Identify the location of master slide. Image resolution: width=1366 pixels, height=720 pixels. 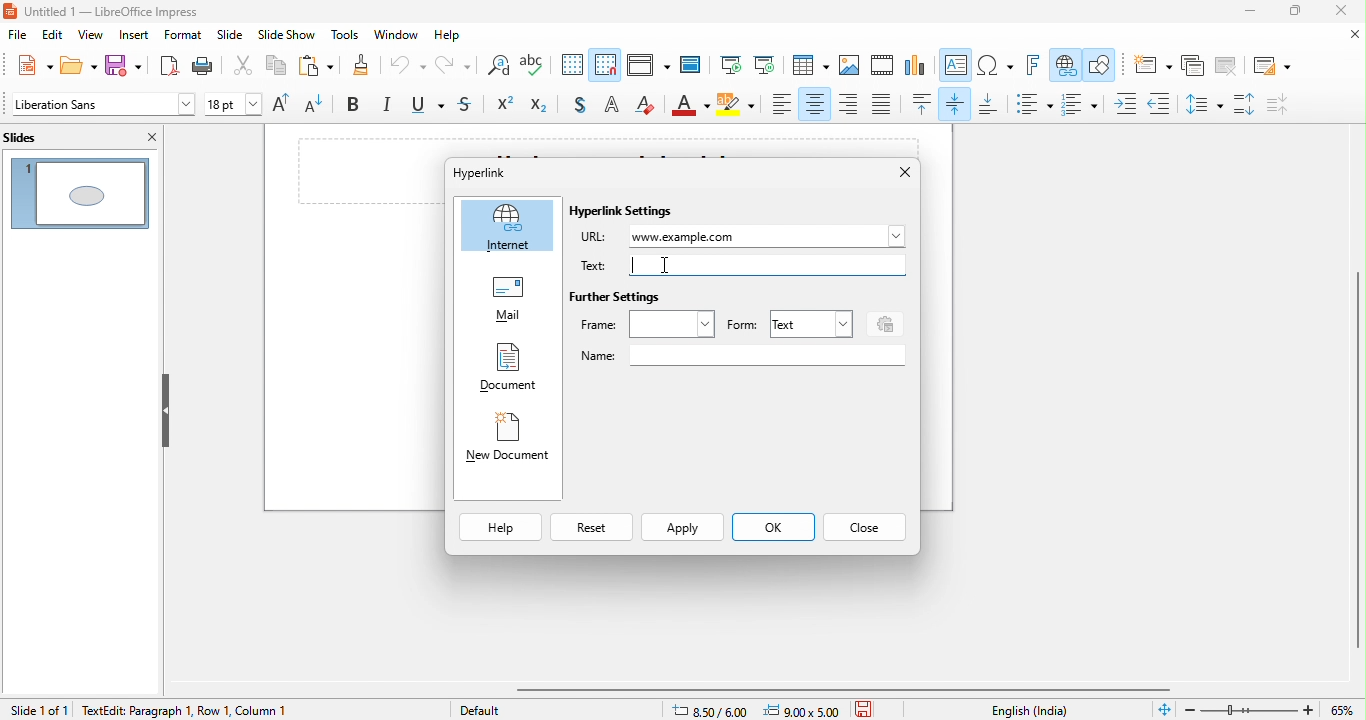
(694, 65).